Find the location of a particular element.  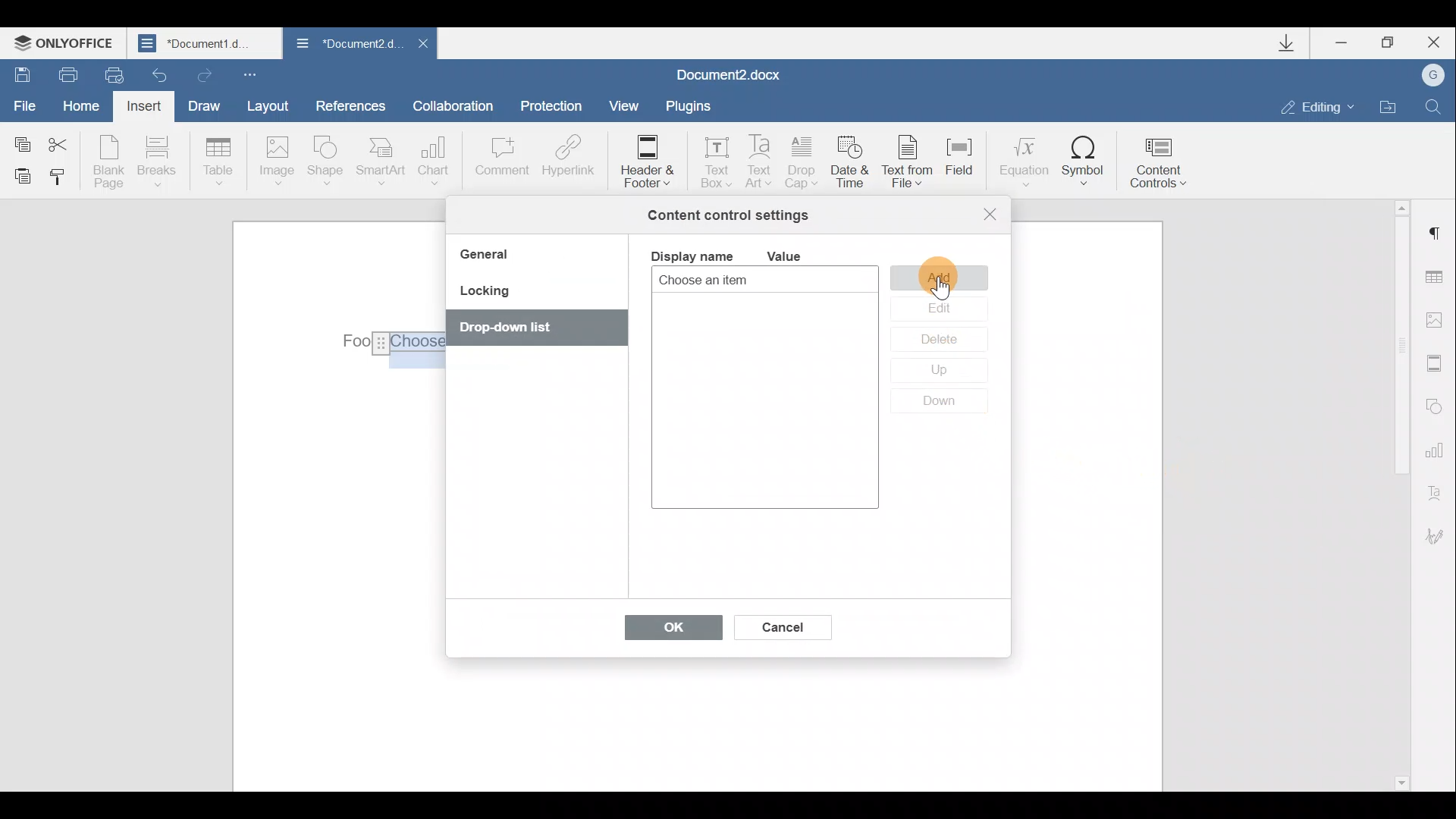

Paragraph settings is located at coordinates (1436, 234).